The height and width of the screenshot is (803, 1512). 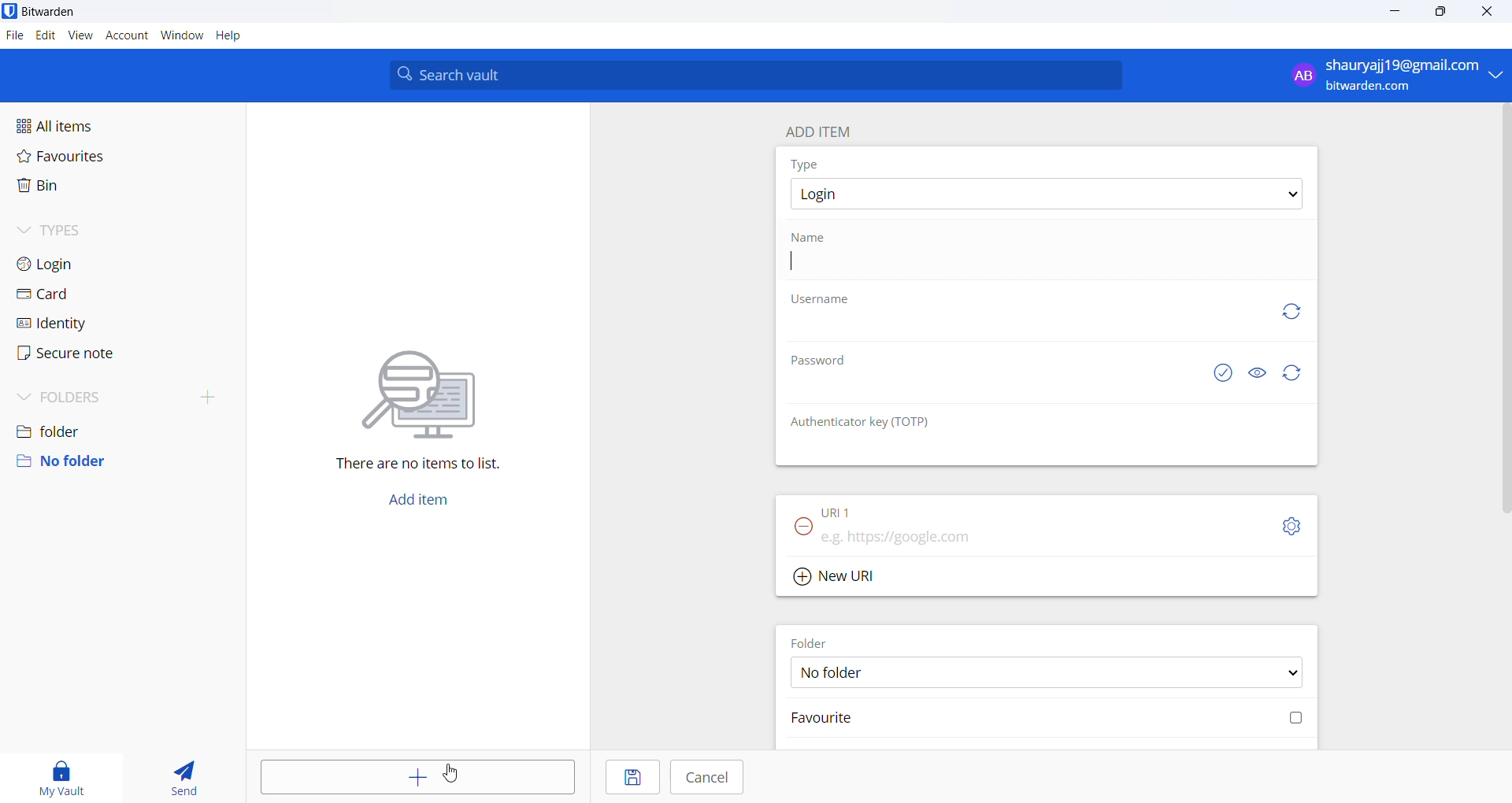 What do you see at coordinates (1443, 13) in the screenshot?
I see `maximize` at bounding box center [1443, 13].